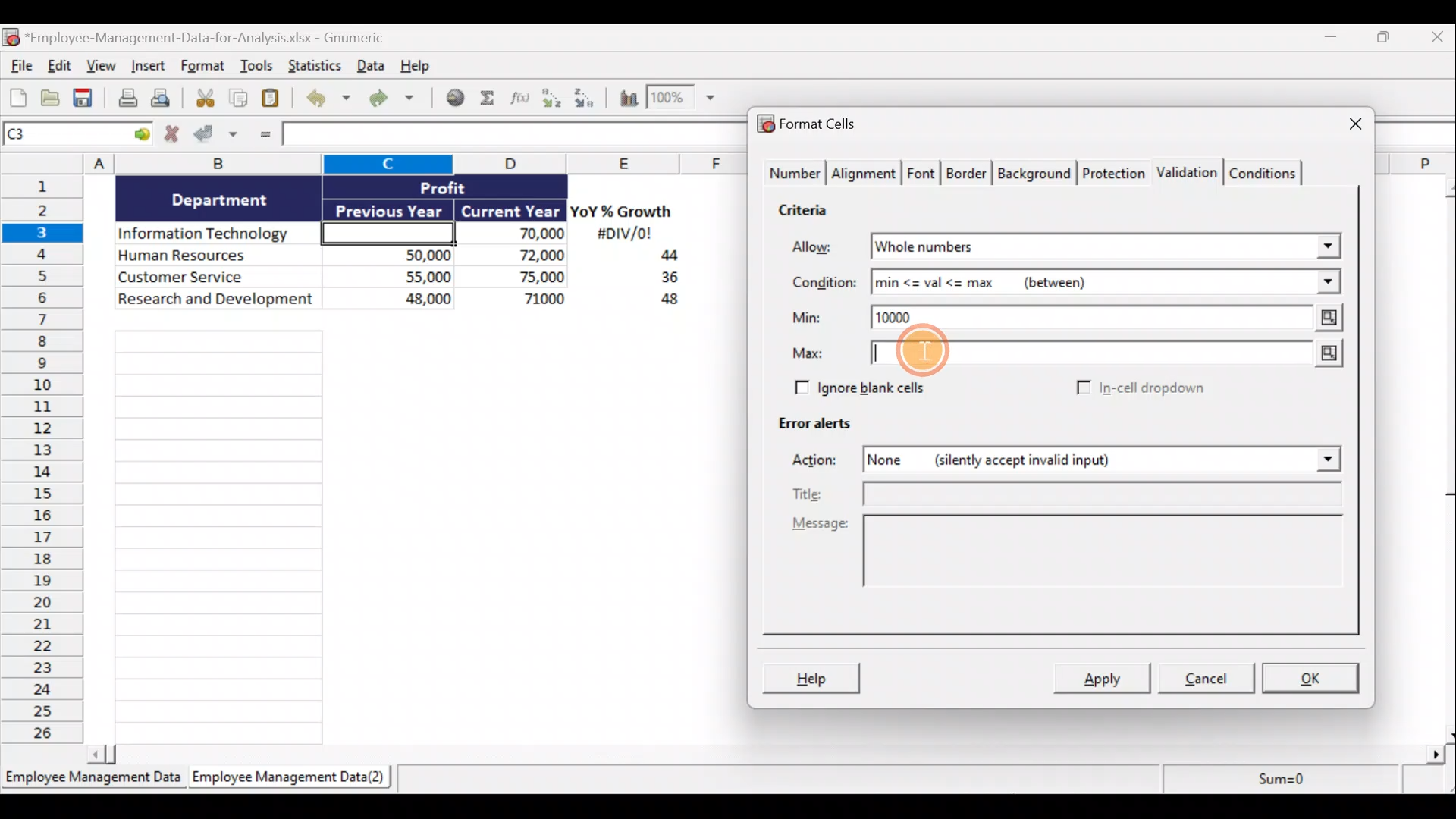 This screenshot has width=1456, height=819. I want to click on Sort descending, so click(582, 96).